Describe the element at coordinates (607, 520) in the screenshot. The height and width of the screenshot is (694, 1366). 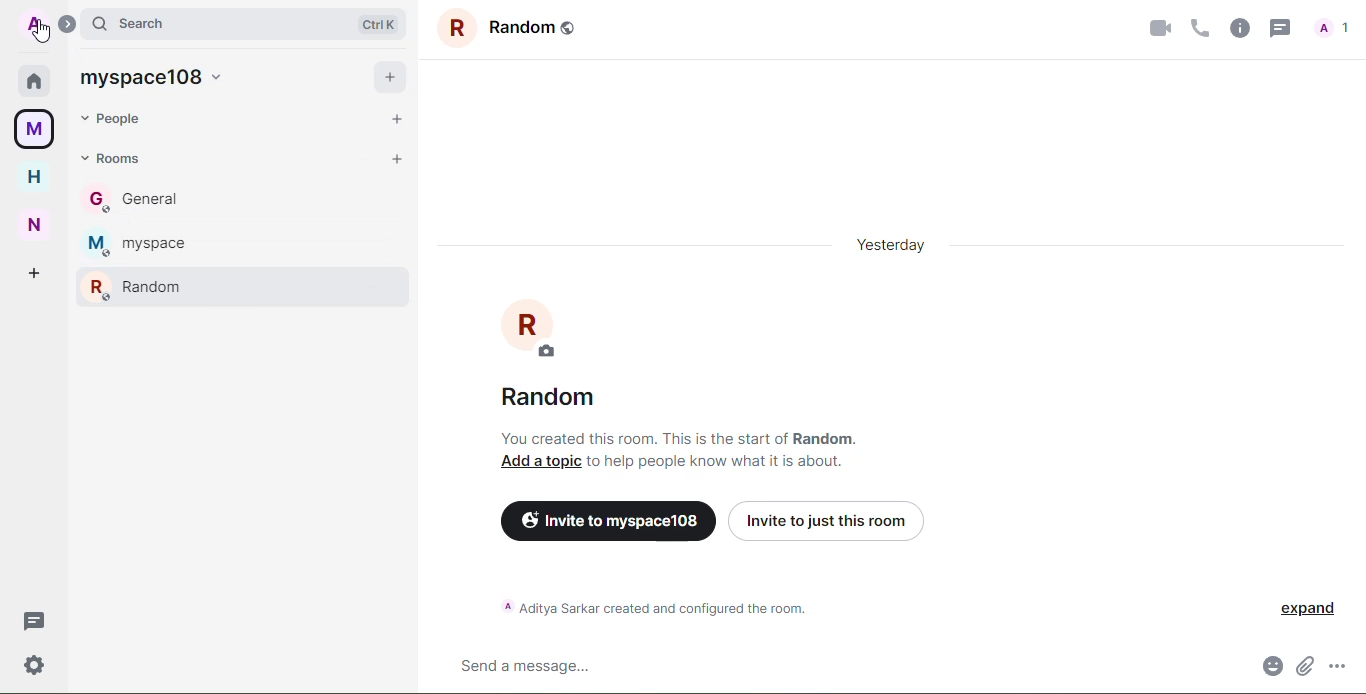
I see `invite to myspace108` at that location.